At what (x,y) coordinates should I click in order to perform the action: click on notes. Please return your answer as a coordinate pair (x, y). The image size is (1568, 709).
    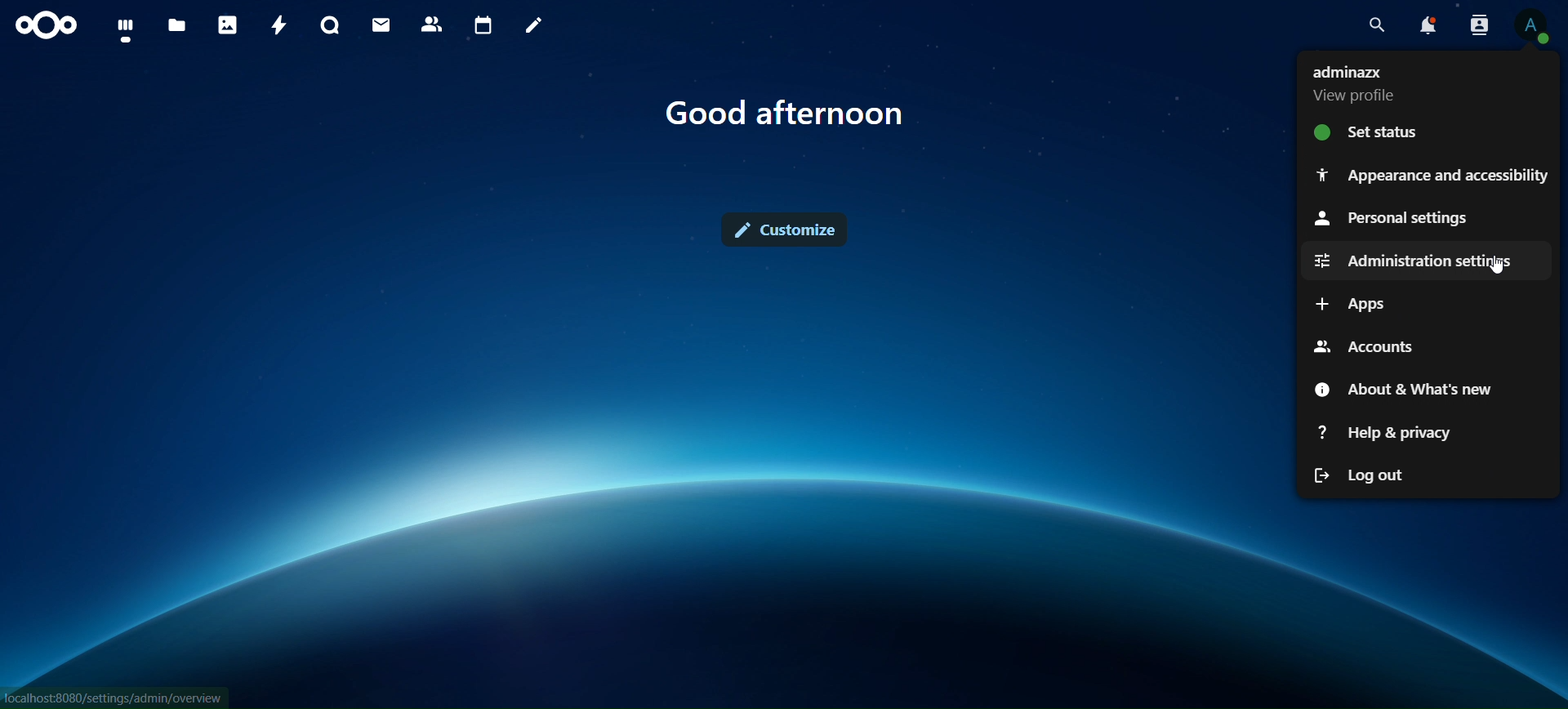
    Looking at the image, I should click on (537, 26).